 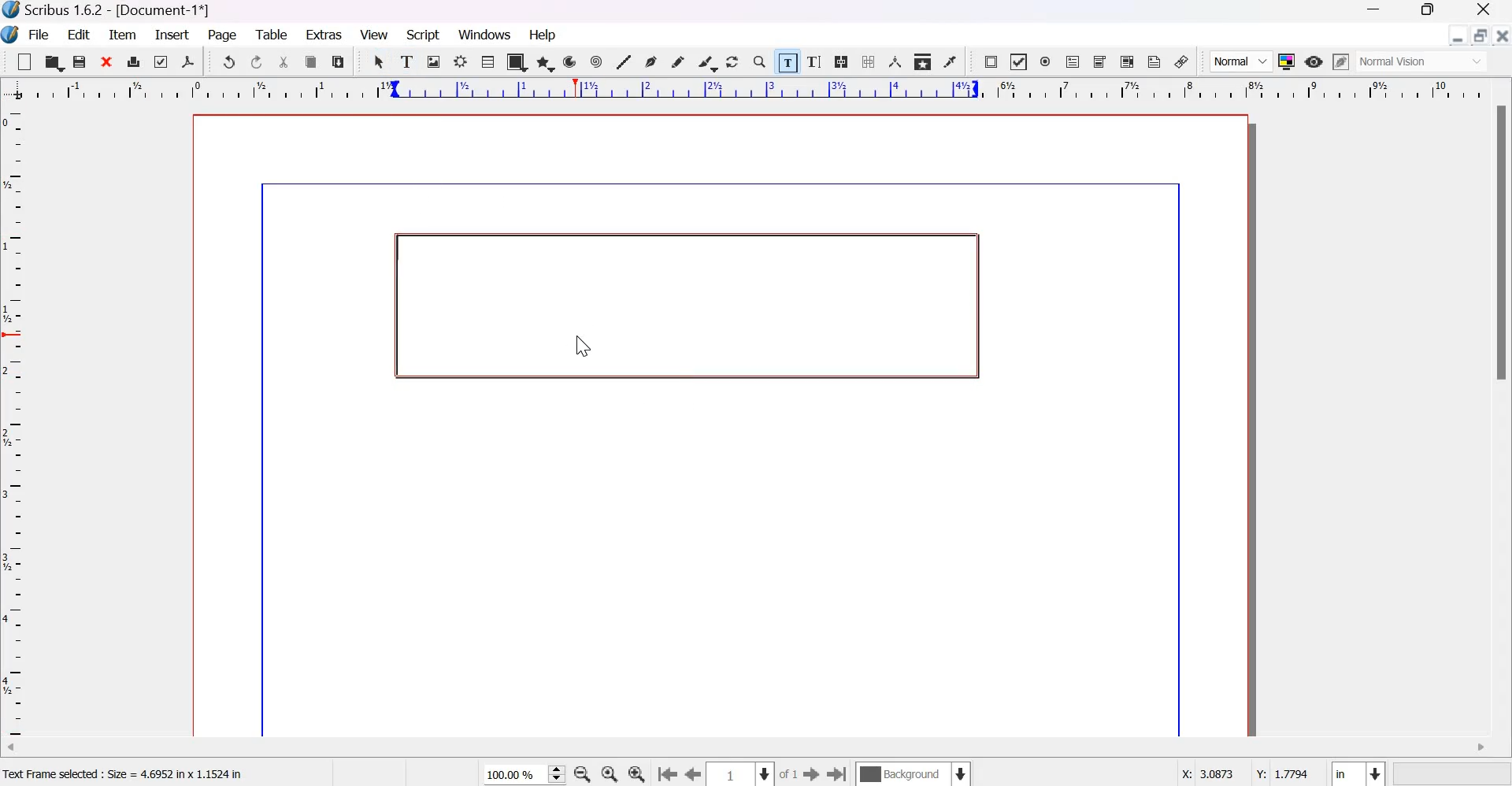 I want to click on Eye dropper, so click(x=950, y=61).